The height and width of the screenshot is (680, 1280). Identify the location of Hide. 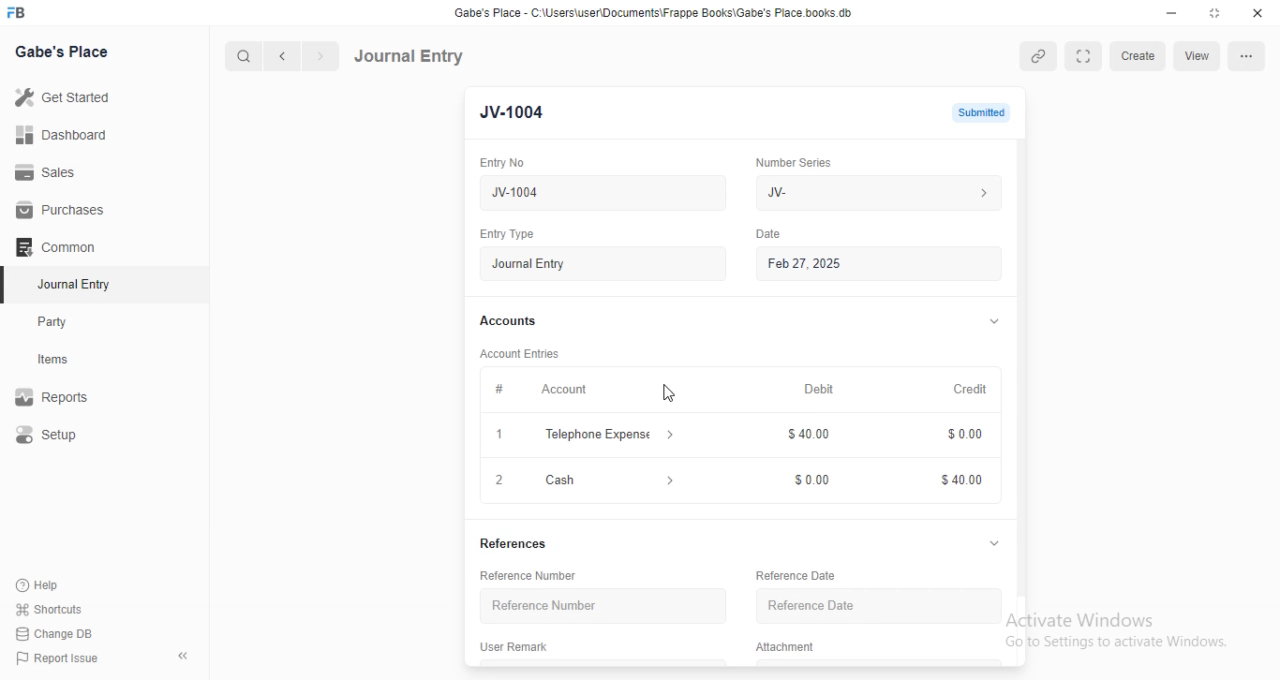
(995, 320).